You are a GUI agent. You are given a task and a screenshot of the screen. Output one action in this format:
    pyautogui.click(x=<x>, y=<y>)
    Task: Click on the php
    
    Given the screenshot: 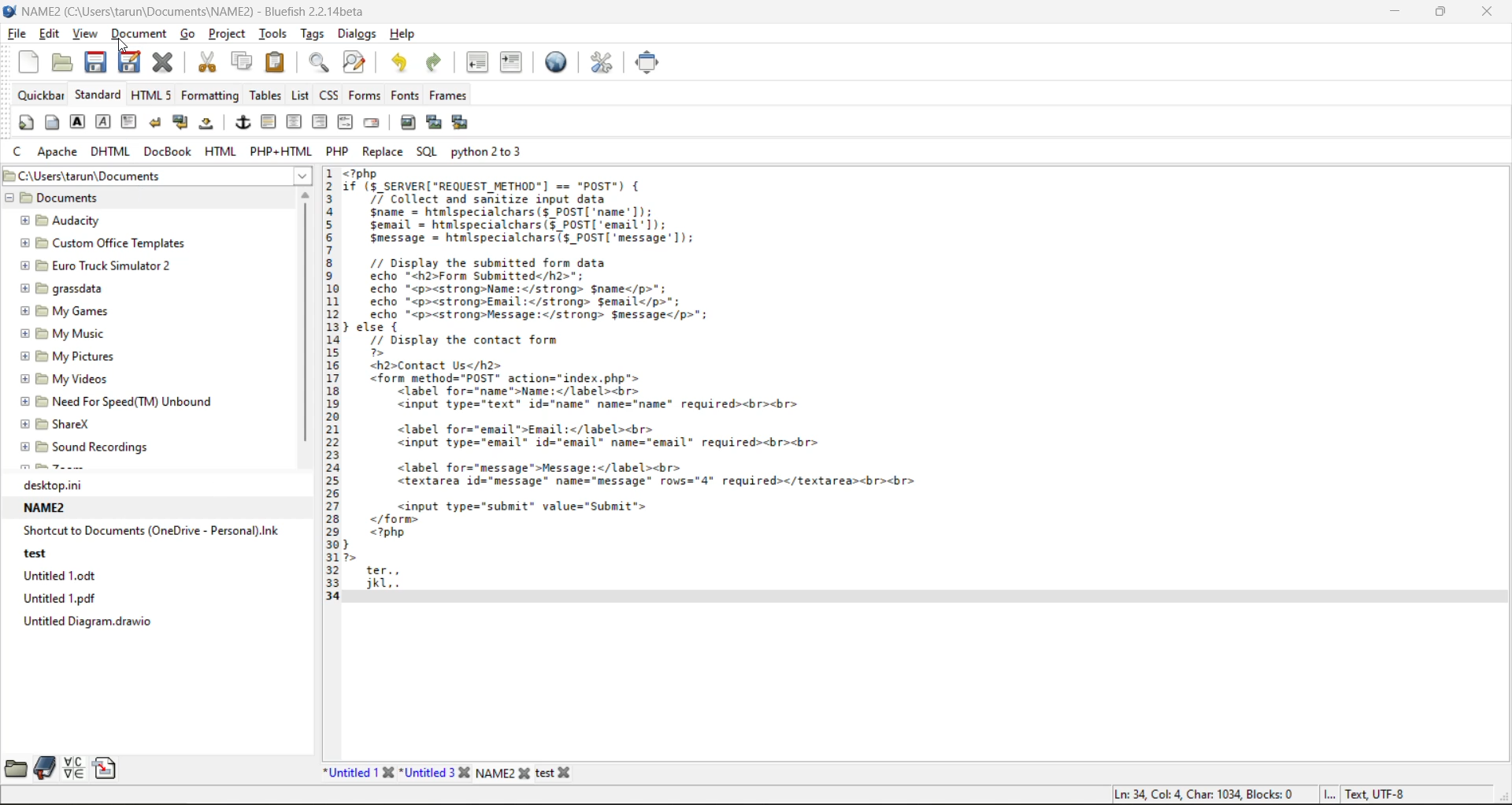 What is the action you would take?
    pyautogui.click(x=338, y=150)
    